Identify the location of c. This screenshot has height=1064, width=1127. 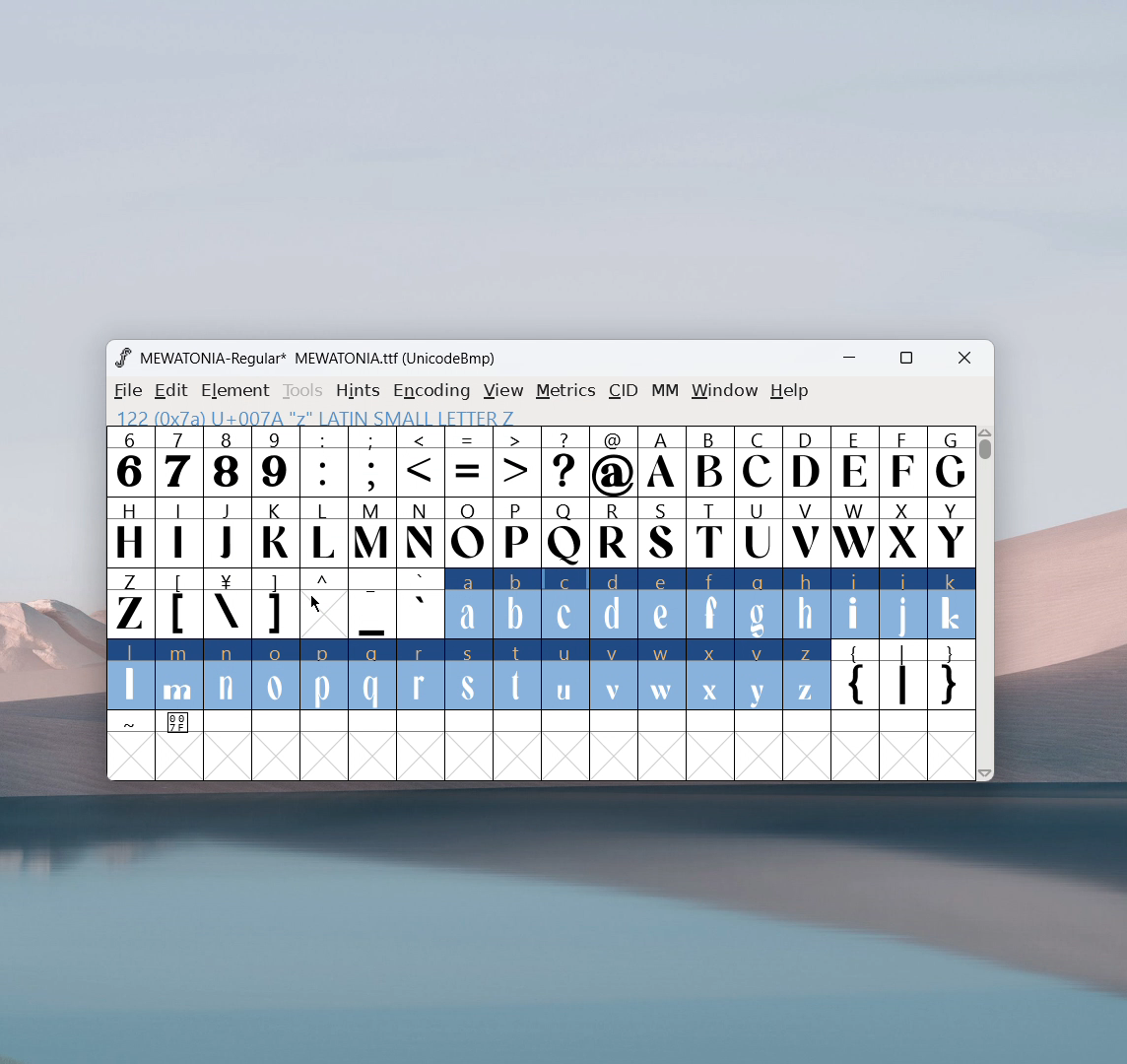
(565, 604).